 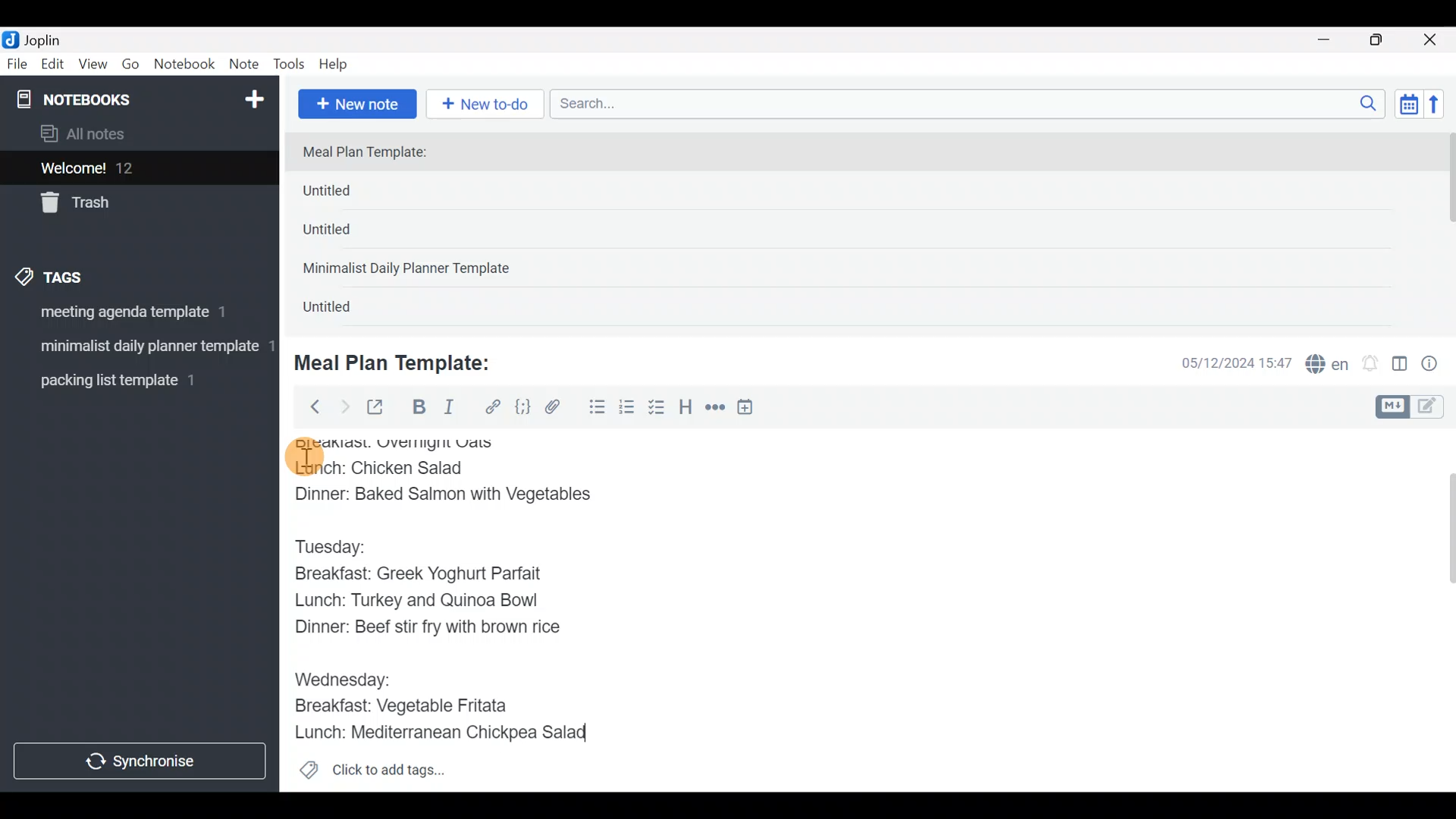 What do you see at coordinates (402, 361) in the screenshot?
I see `Meal Plan Template:` at bounding box center [402, 361].